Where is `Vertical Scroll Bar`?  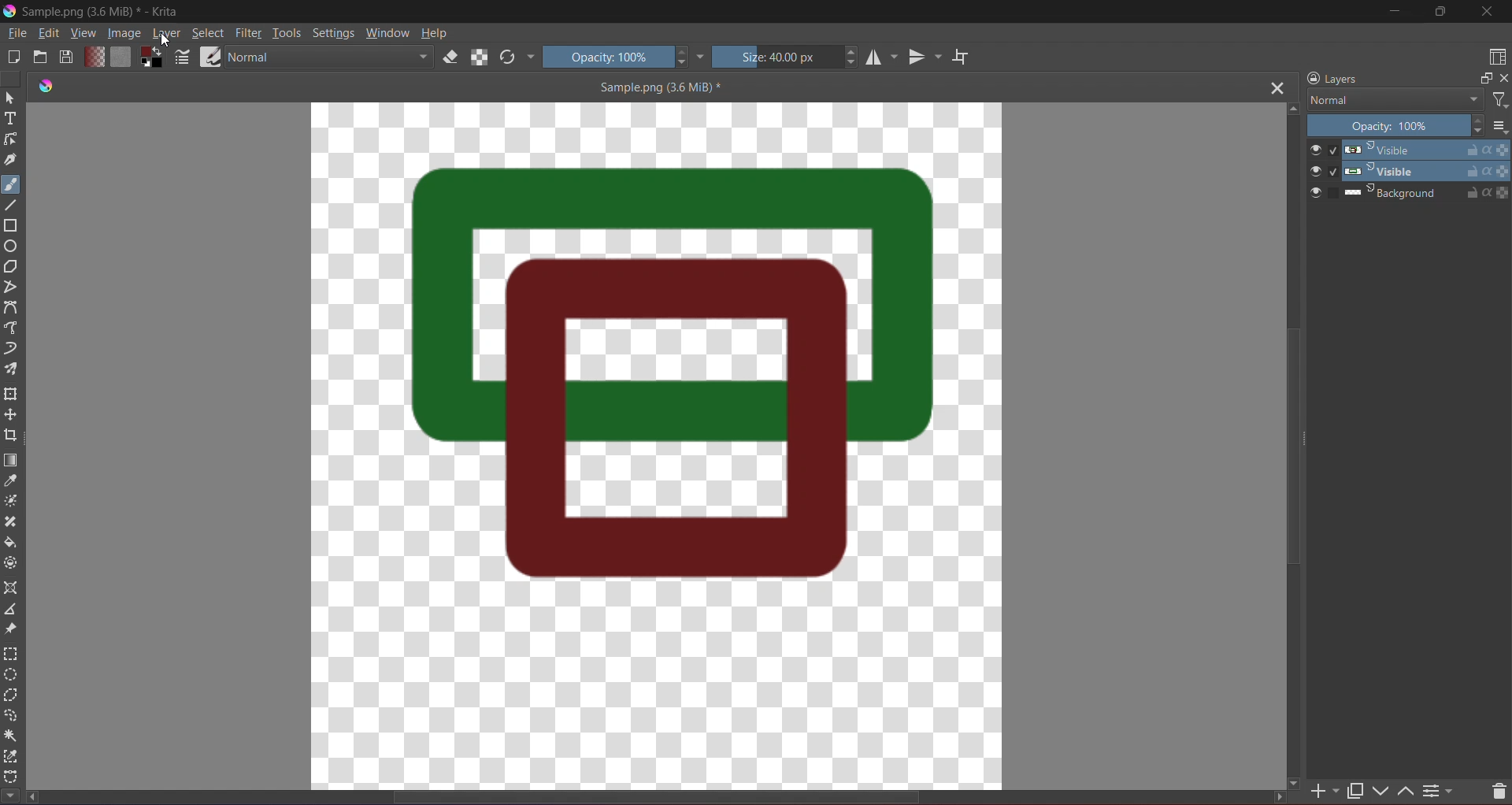 Vertical Scroll Bar is located at coordinates (1294, 448).